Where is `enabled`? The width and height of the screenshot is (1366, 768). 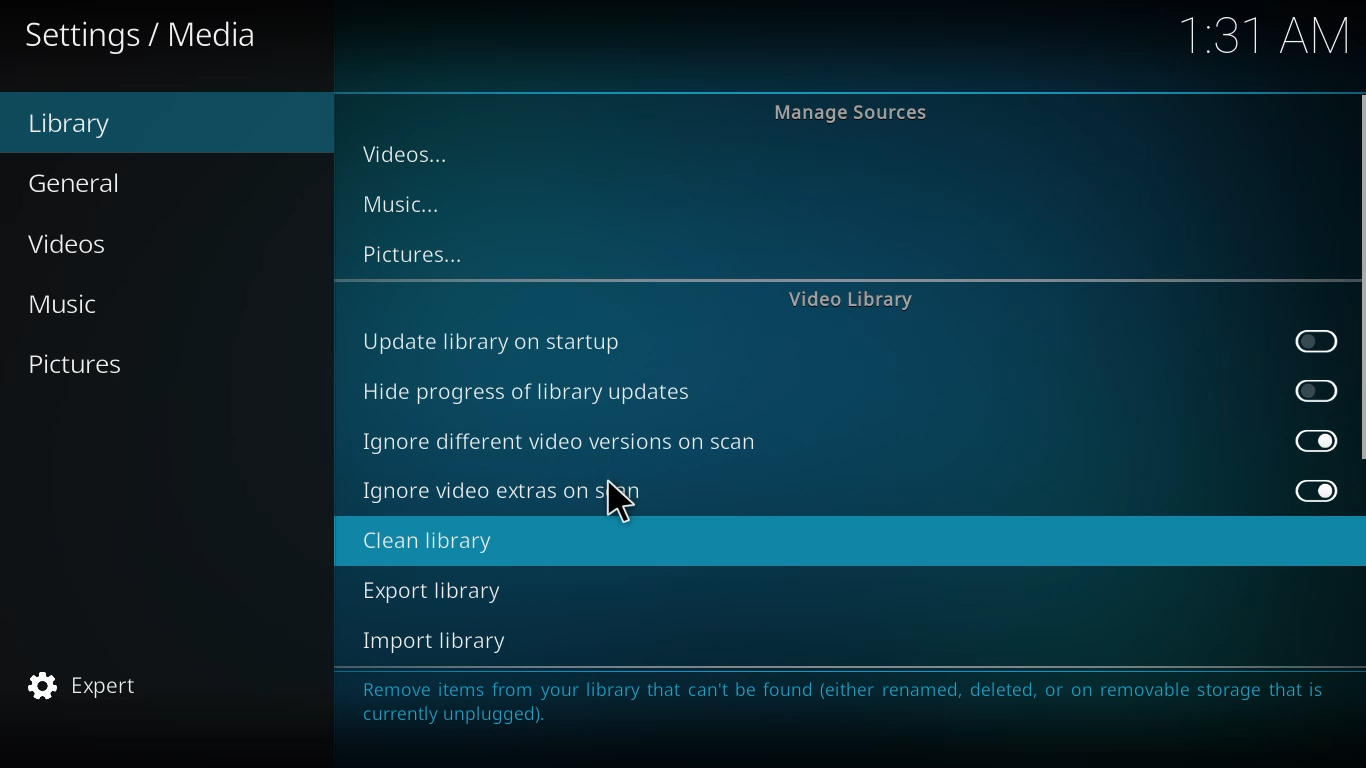 enabled is located at coordinates (1316, 441).